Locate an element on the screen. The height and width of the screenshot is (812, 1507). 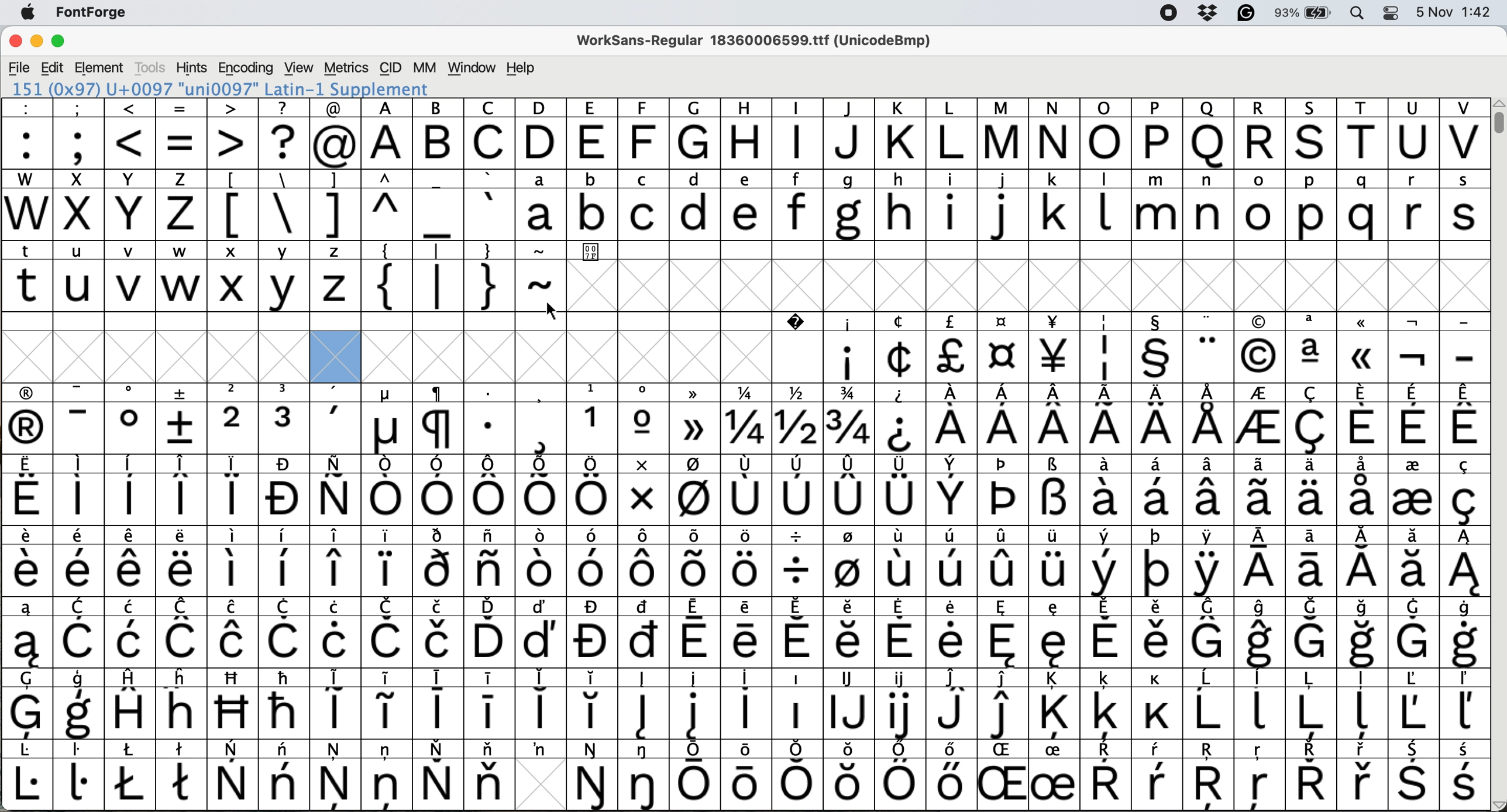
symbol is located at coordinates (183, 490).